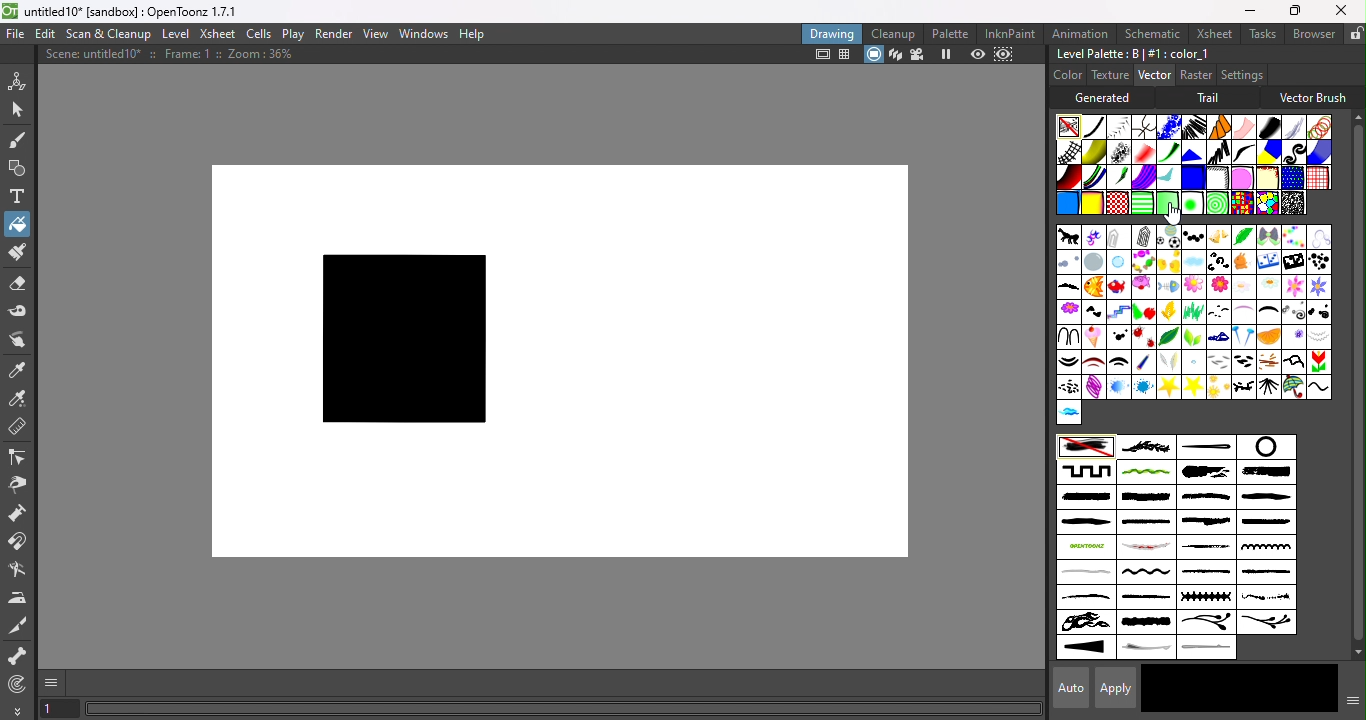 The width and height of the screenshot is (1366, 720). What do you see at coordinates (17, 108) in the screenshot?
I see `Selection tool` at bounding box center [17, 108].